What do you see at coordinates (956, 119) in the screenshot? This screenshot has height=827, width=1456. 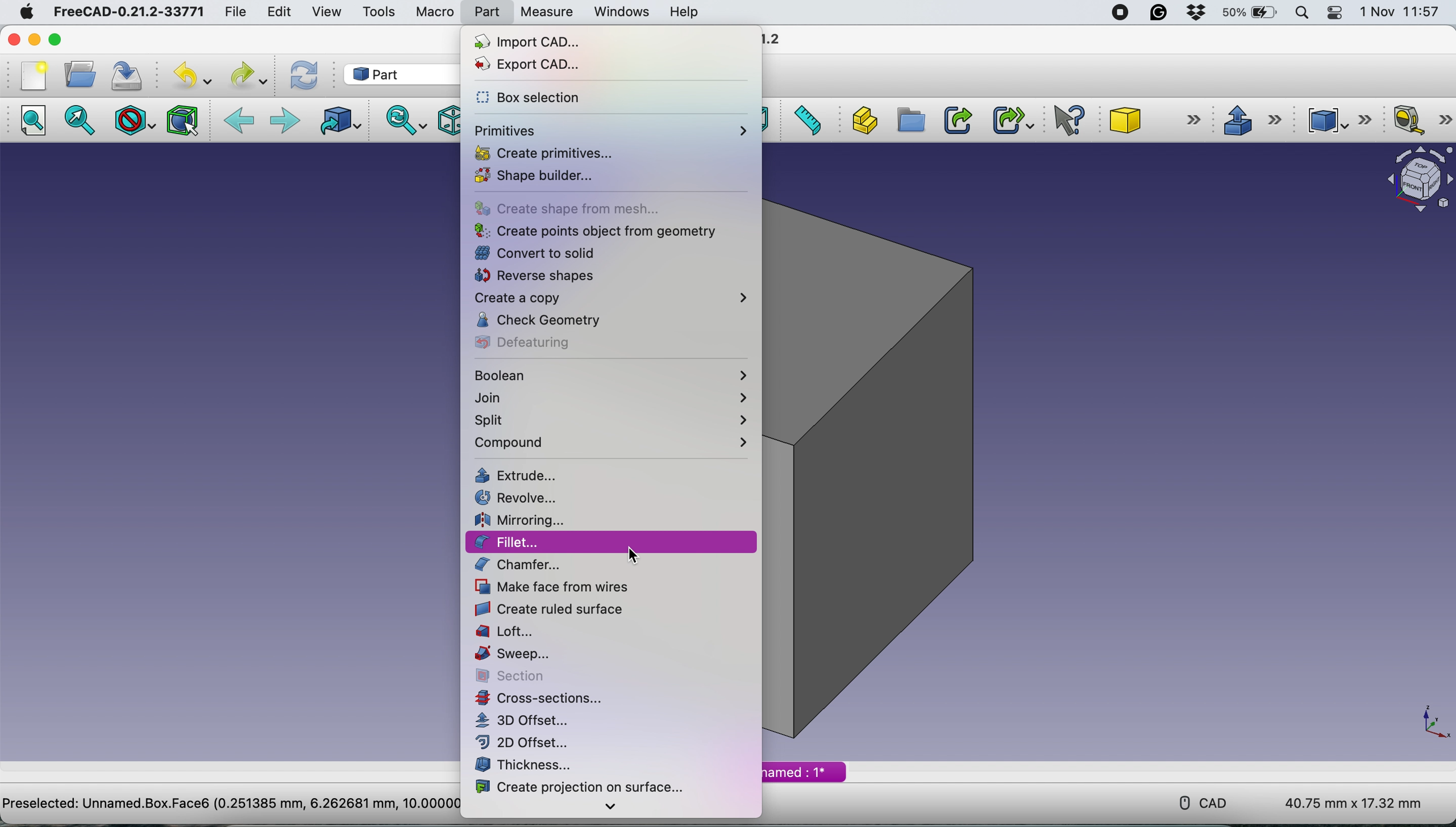 I see `make link` at bounding box center [956, 119].